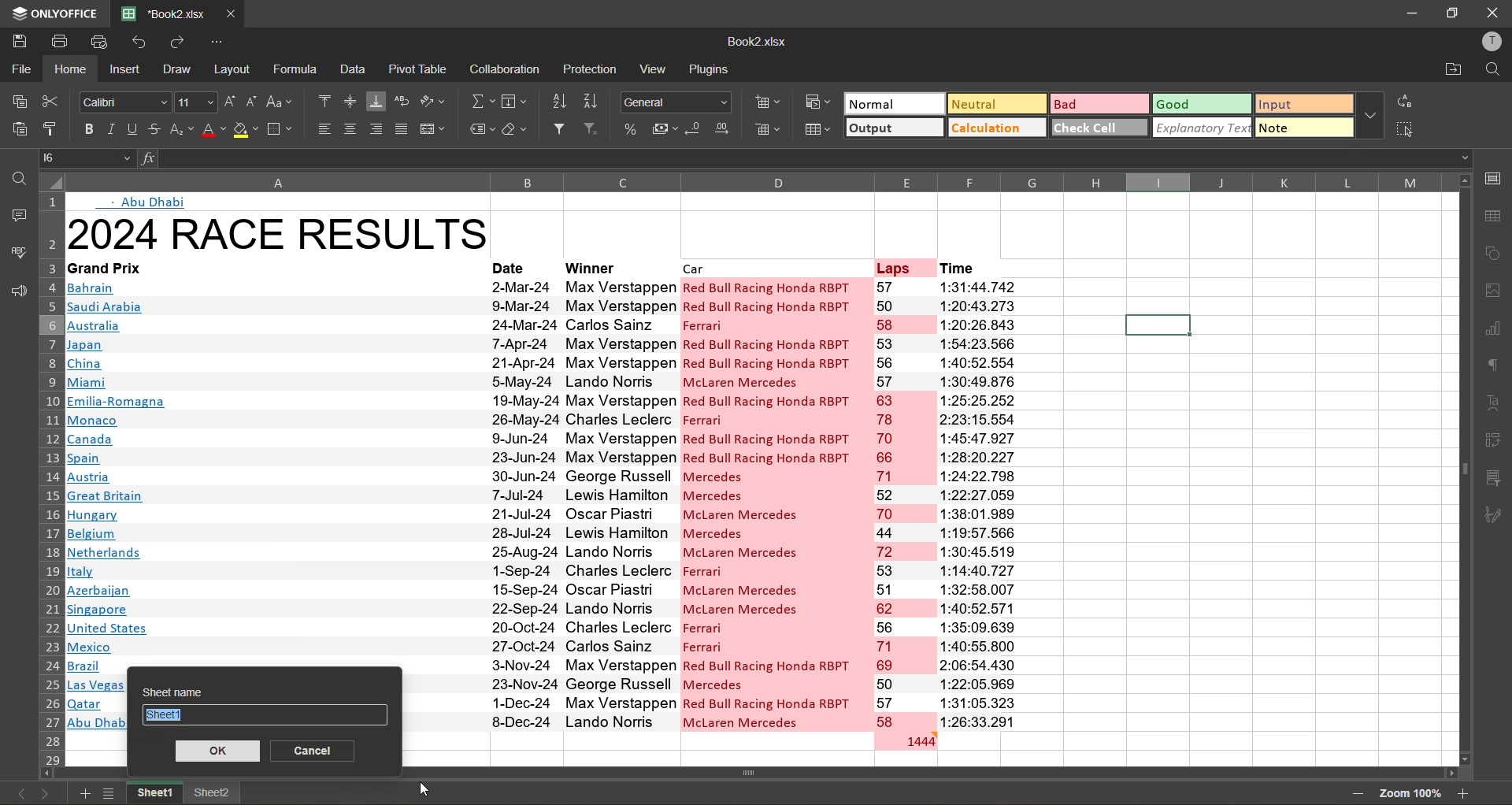 The width and height of the screenshot is (1512, 805). I want to click on sheet name, so click(265, 688).